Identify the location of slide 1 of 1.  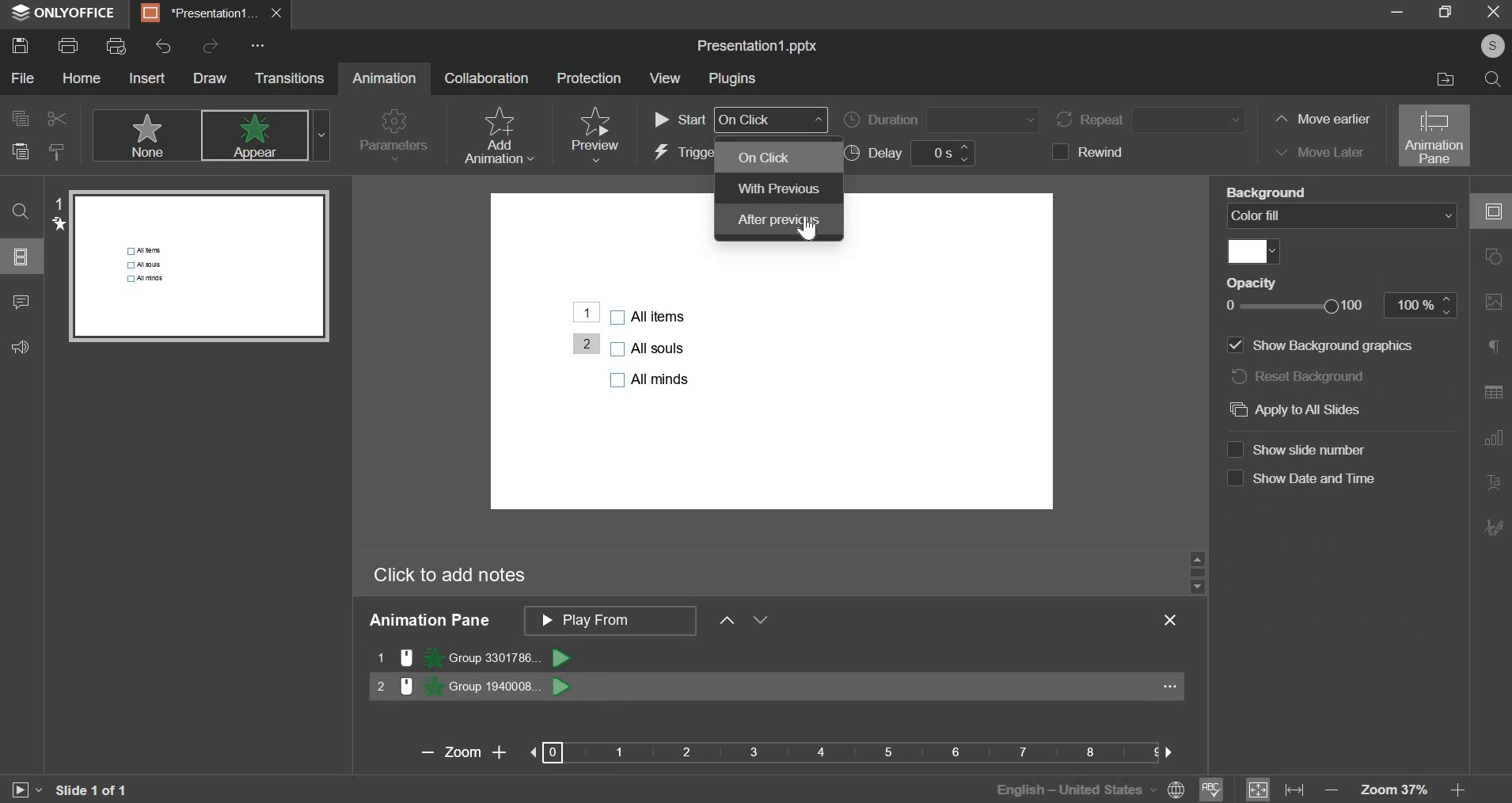
(90, 790).